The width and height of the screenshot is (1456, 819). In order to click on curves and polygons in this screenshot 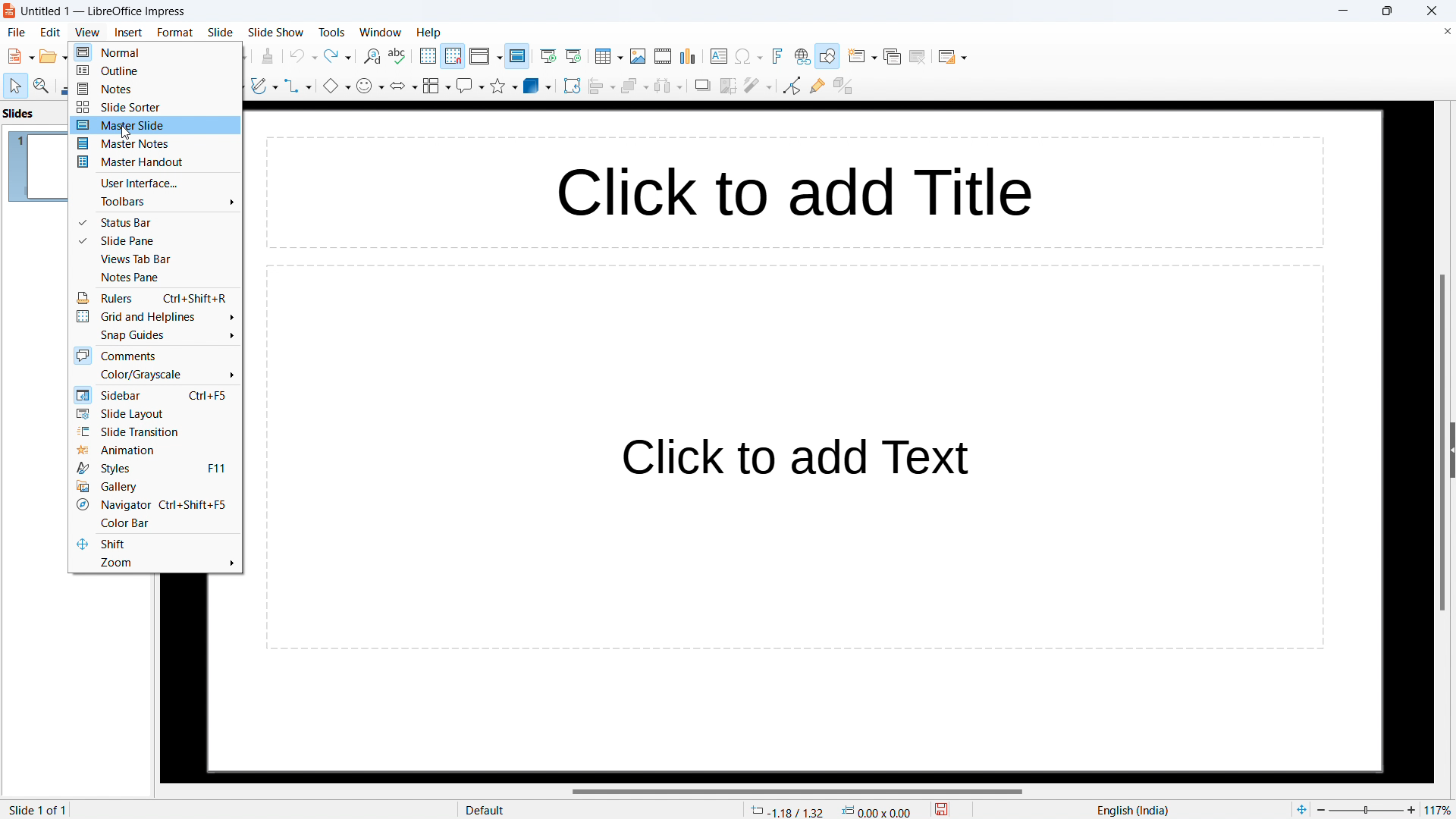, I will do `click(265, 86)`.